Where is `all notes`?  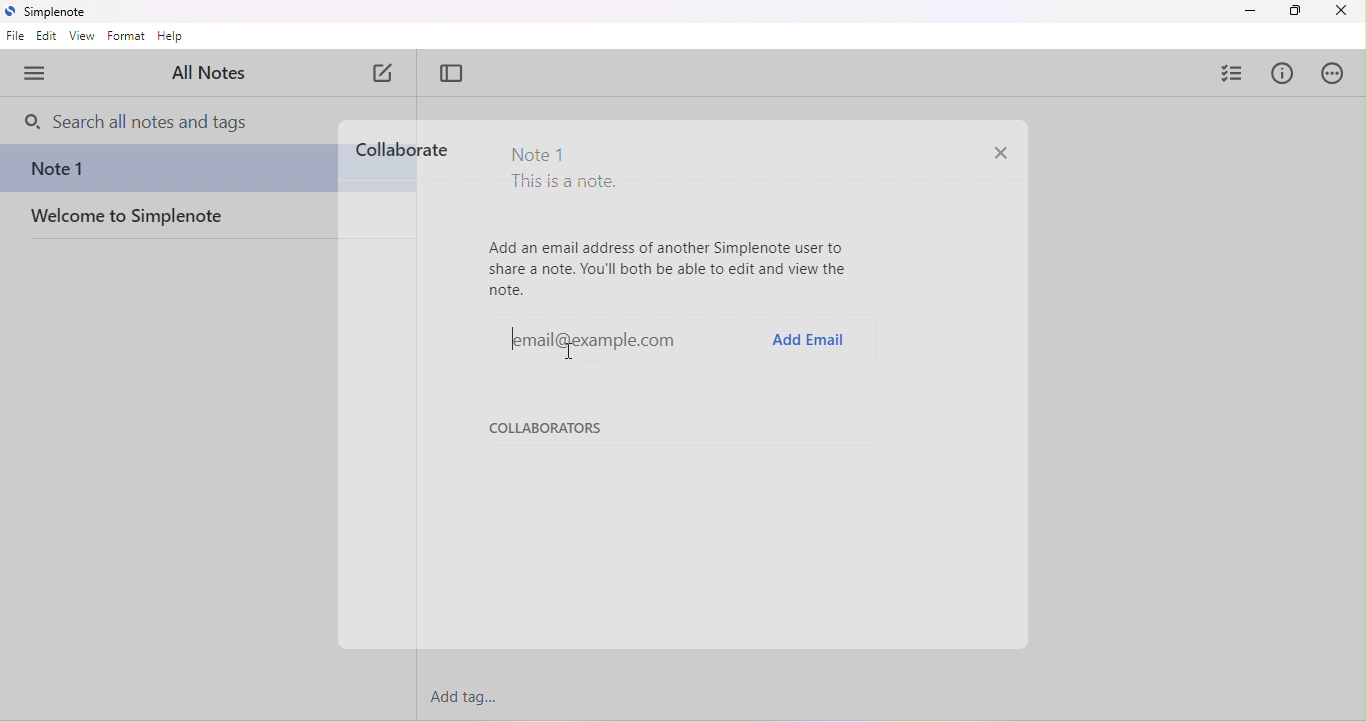 all notes is located at coordinates (211, 74).